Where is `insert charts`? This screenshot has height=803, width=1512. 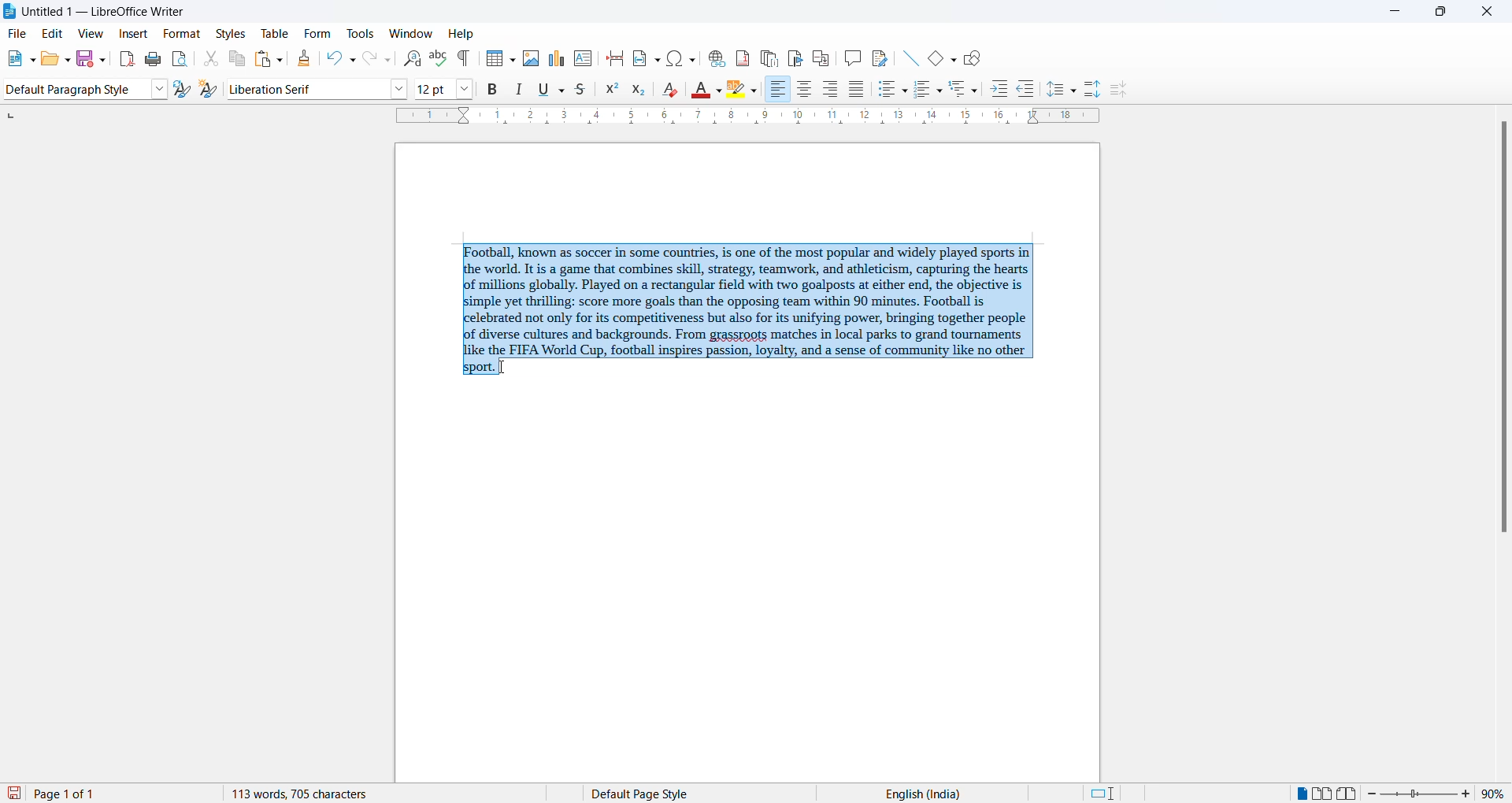 insert charts is located at coordinates (556, 57).